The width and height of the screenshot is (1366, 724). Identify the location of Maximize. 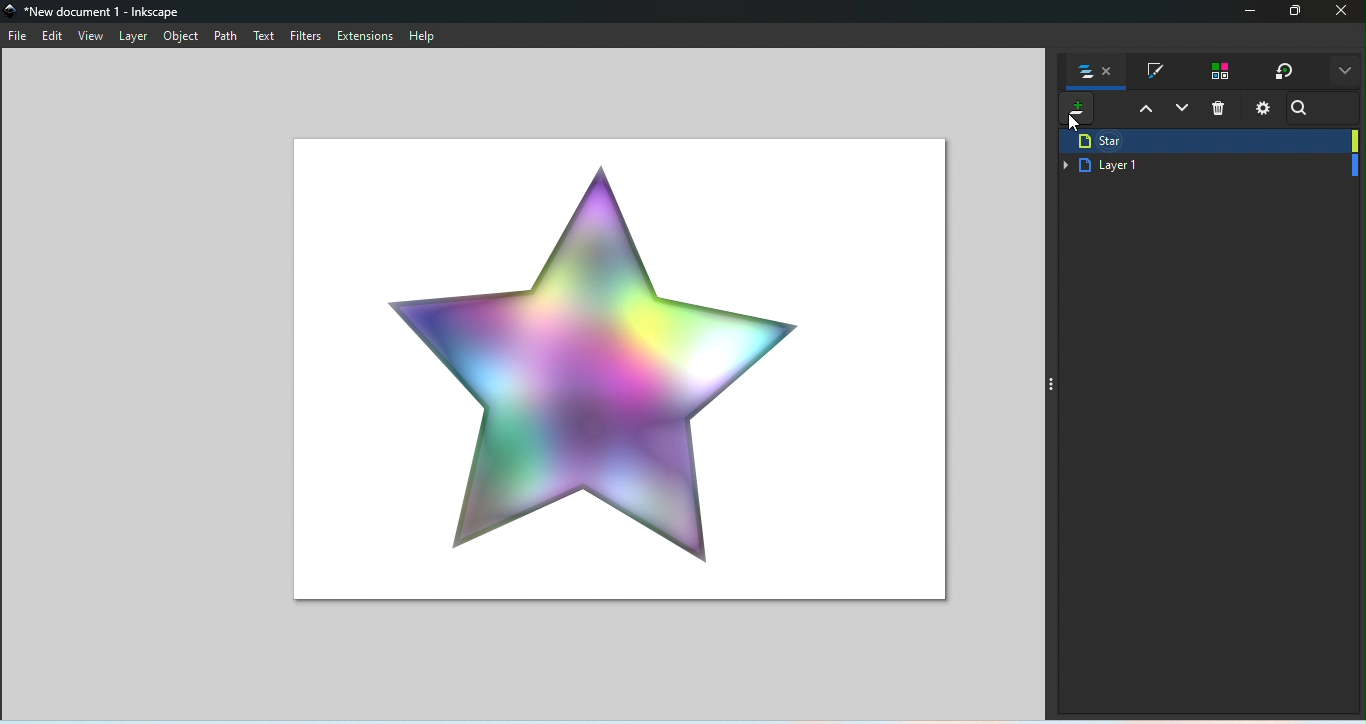
(1297, 13).